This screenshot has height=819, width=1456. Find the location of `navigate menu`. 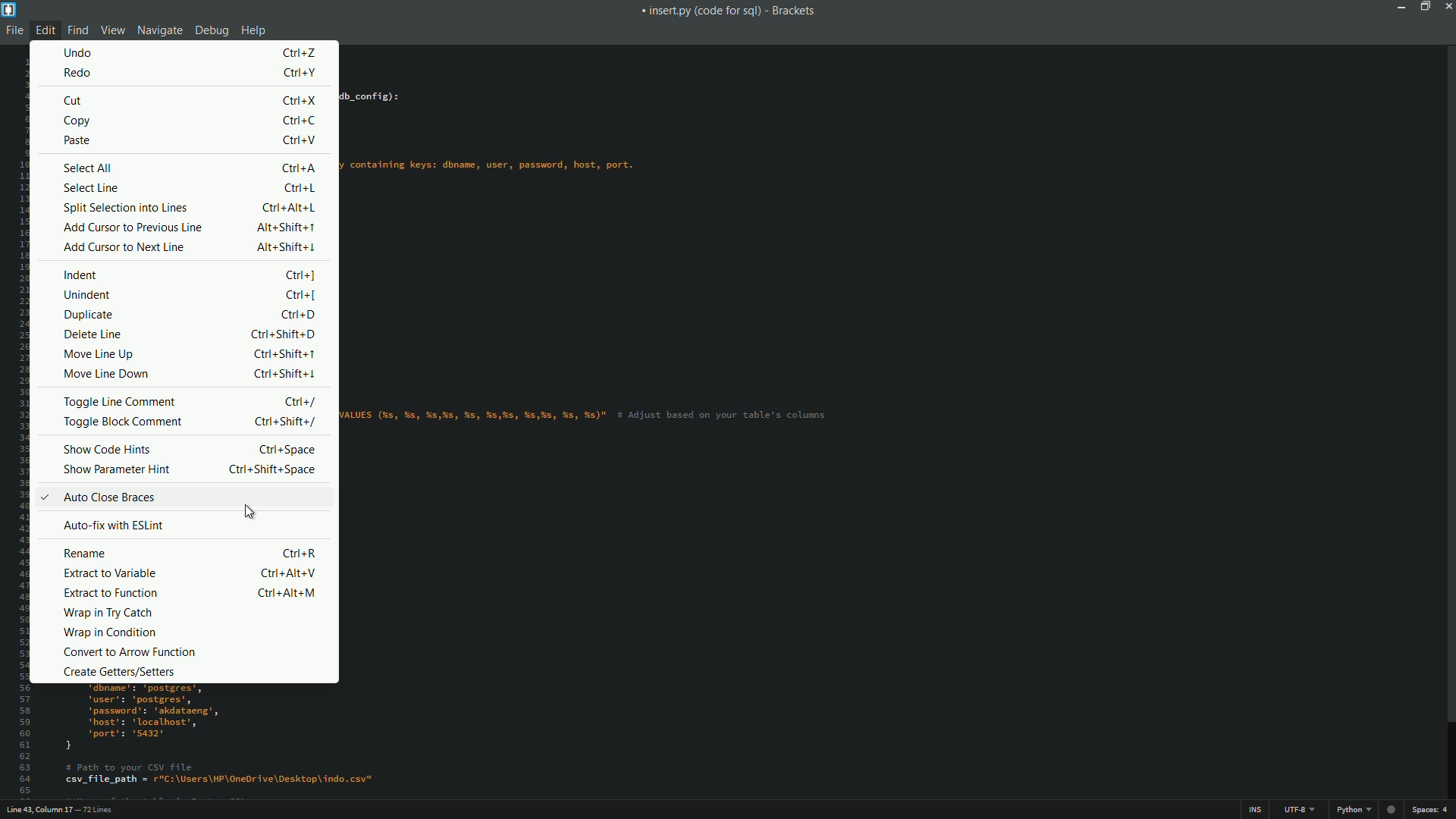

navigate menu is located at coordinates (157, 30).